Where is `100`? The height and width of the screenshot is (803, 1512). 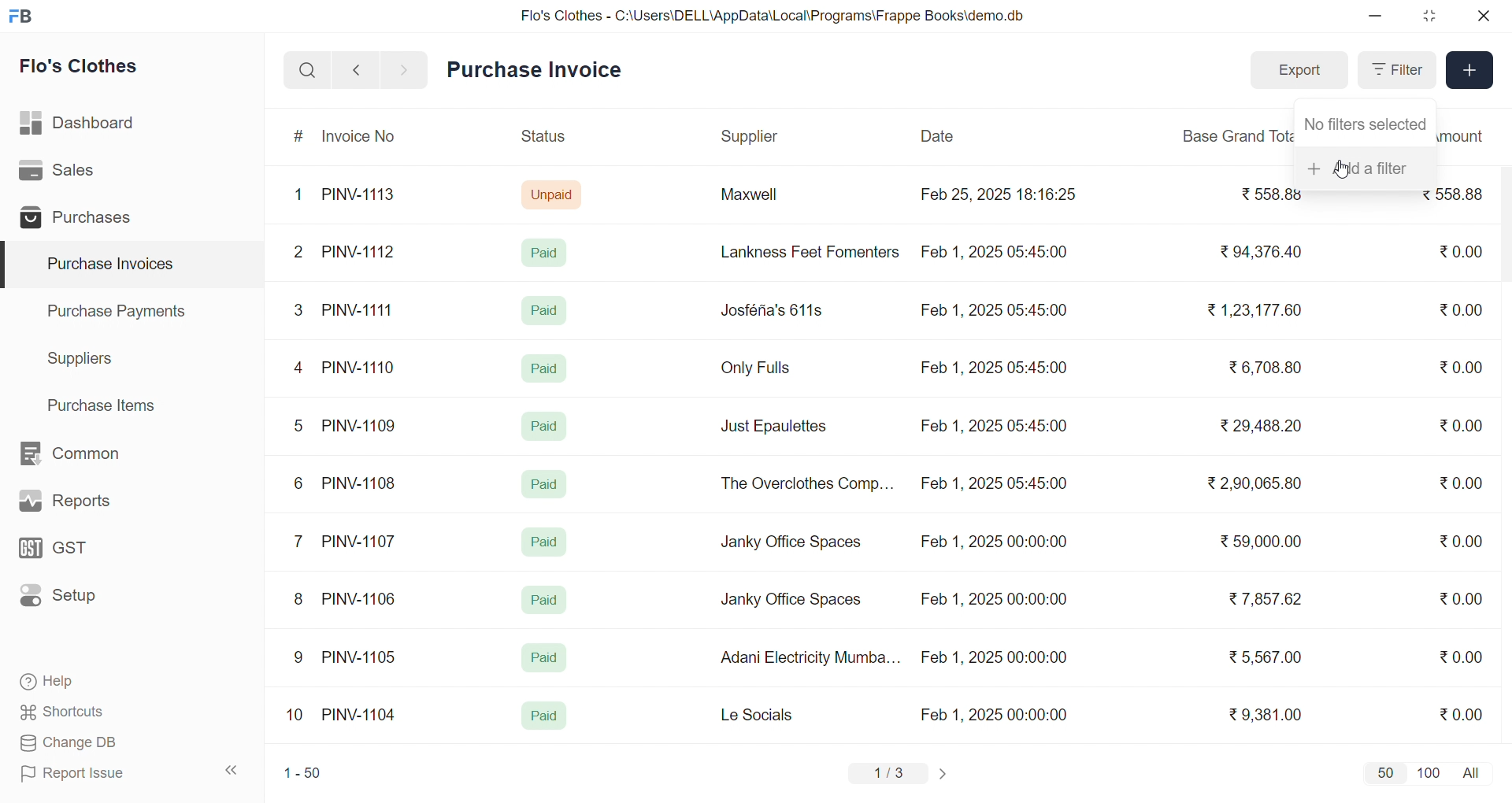 100 is located at coordinates (1426, 772).